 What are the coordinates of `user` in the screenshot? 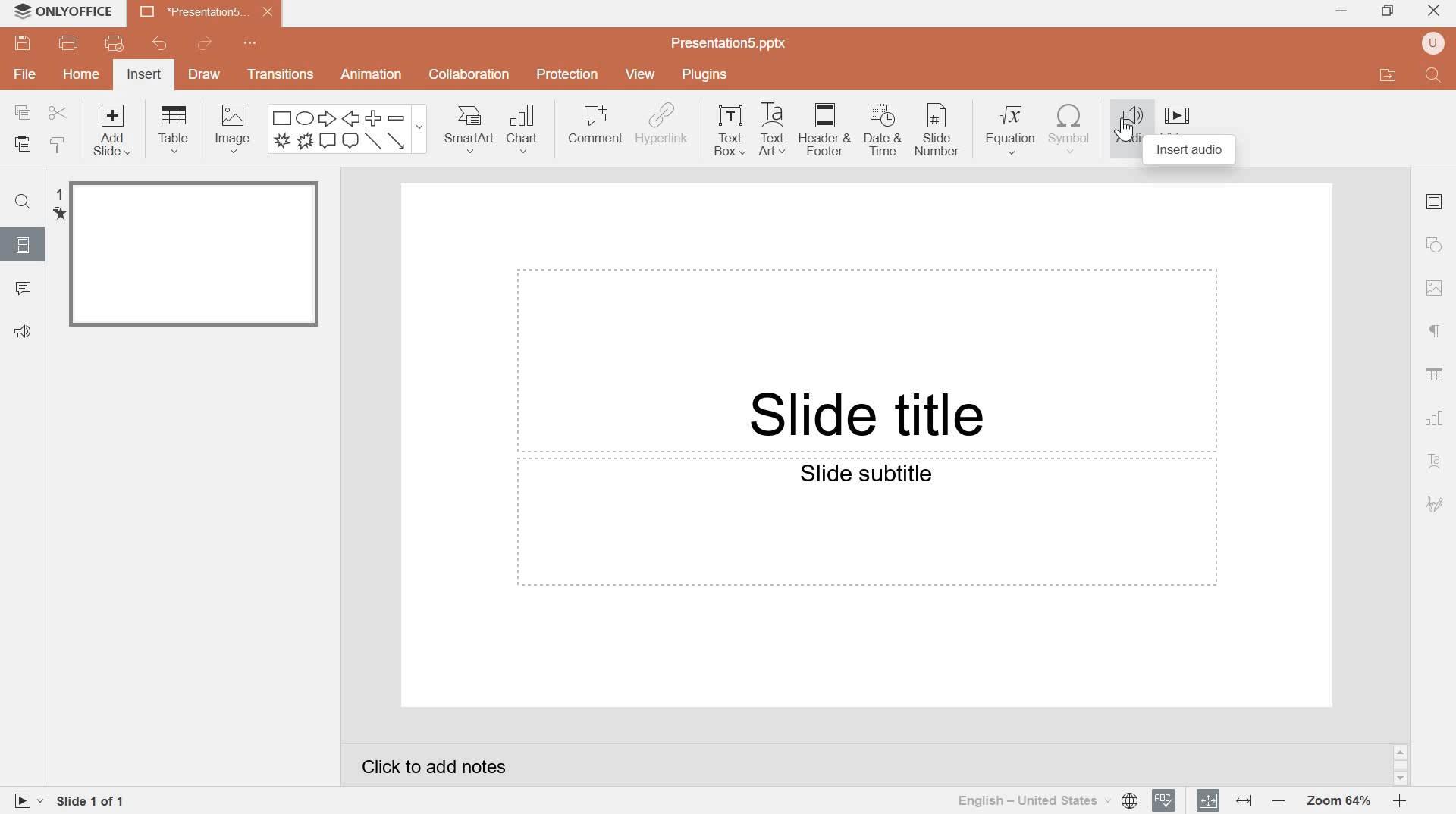 It's located at (1432, 43).